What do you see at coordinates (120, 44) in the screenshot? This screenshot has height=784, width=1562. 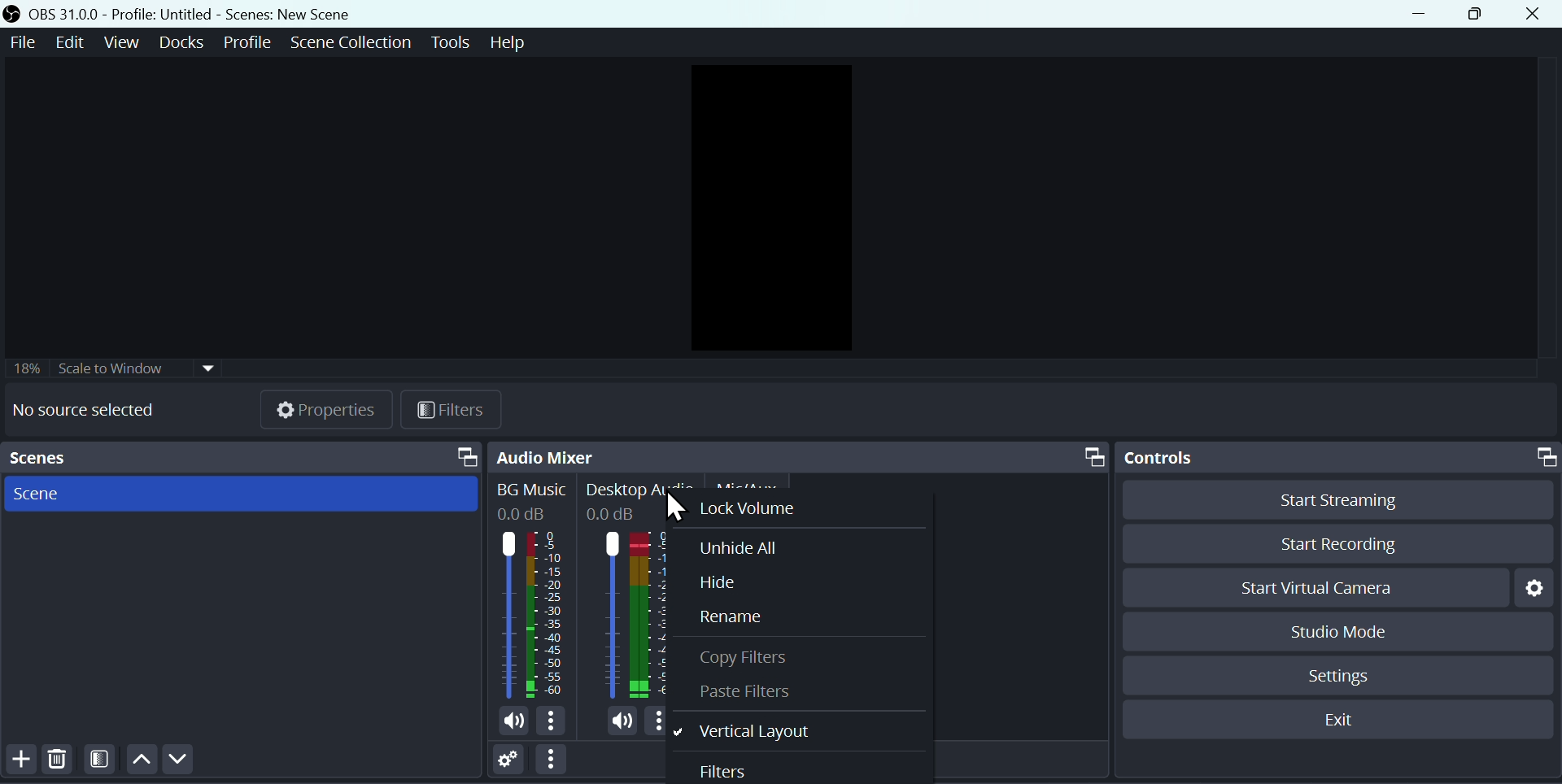 I see `View` at bounding box center [120, 44].